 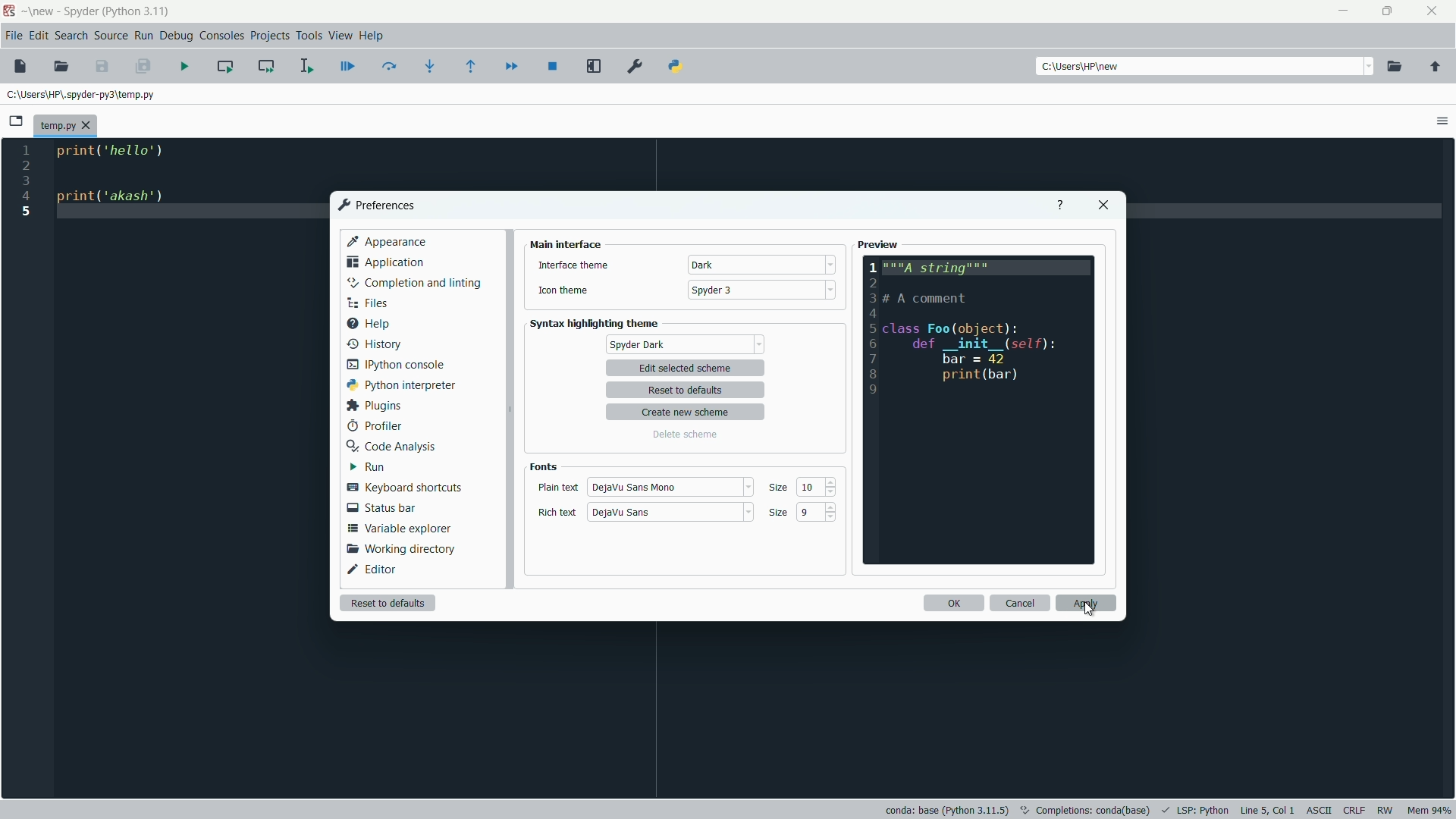 What do you see at coordinates (390, 66) in the screenshot?
I see `run current line` at bounding box center [390, 66].